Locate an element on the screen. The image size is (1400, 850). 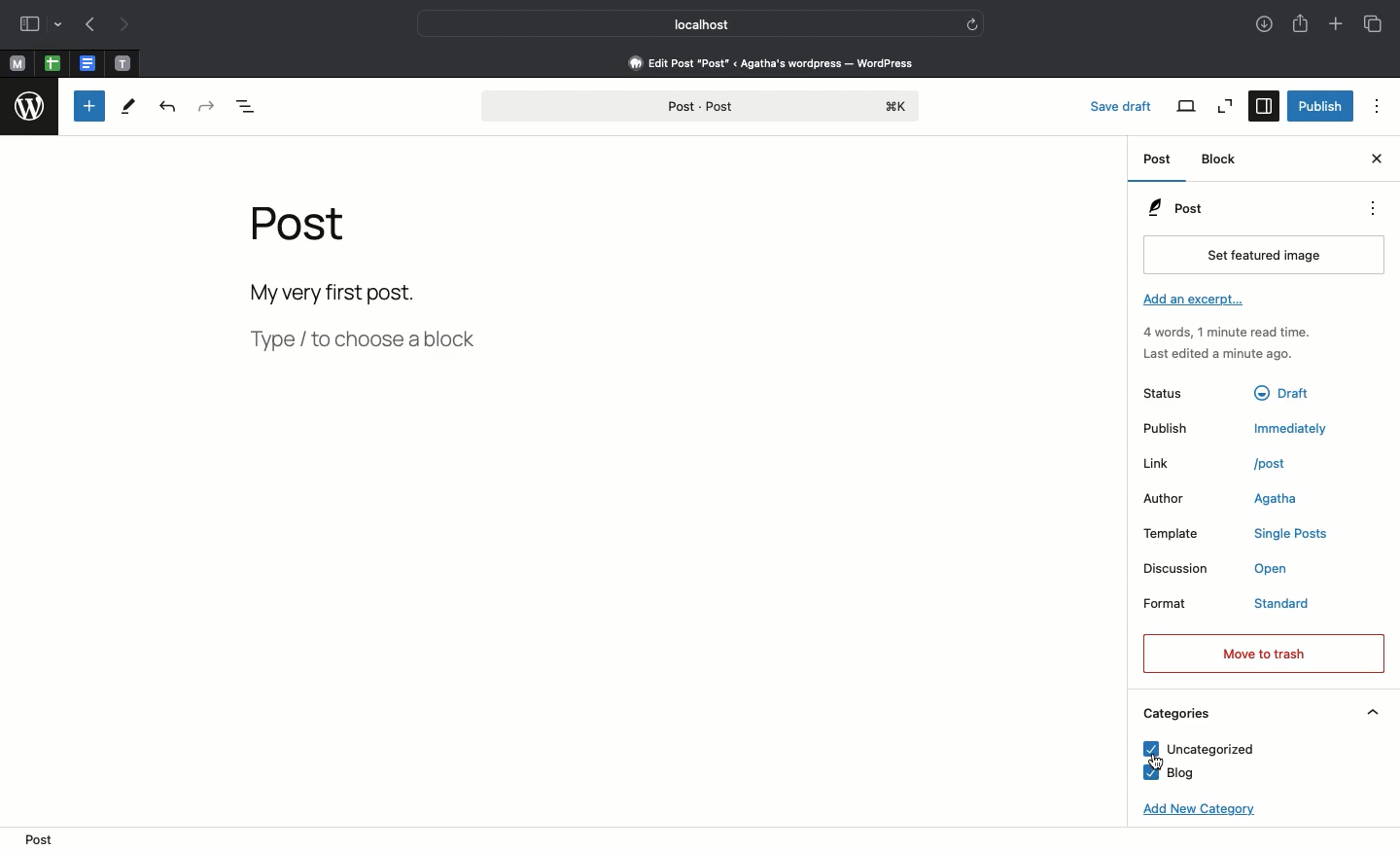
Single posts is located at coordinates (1295, 536).